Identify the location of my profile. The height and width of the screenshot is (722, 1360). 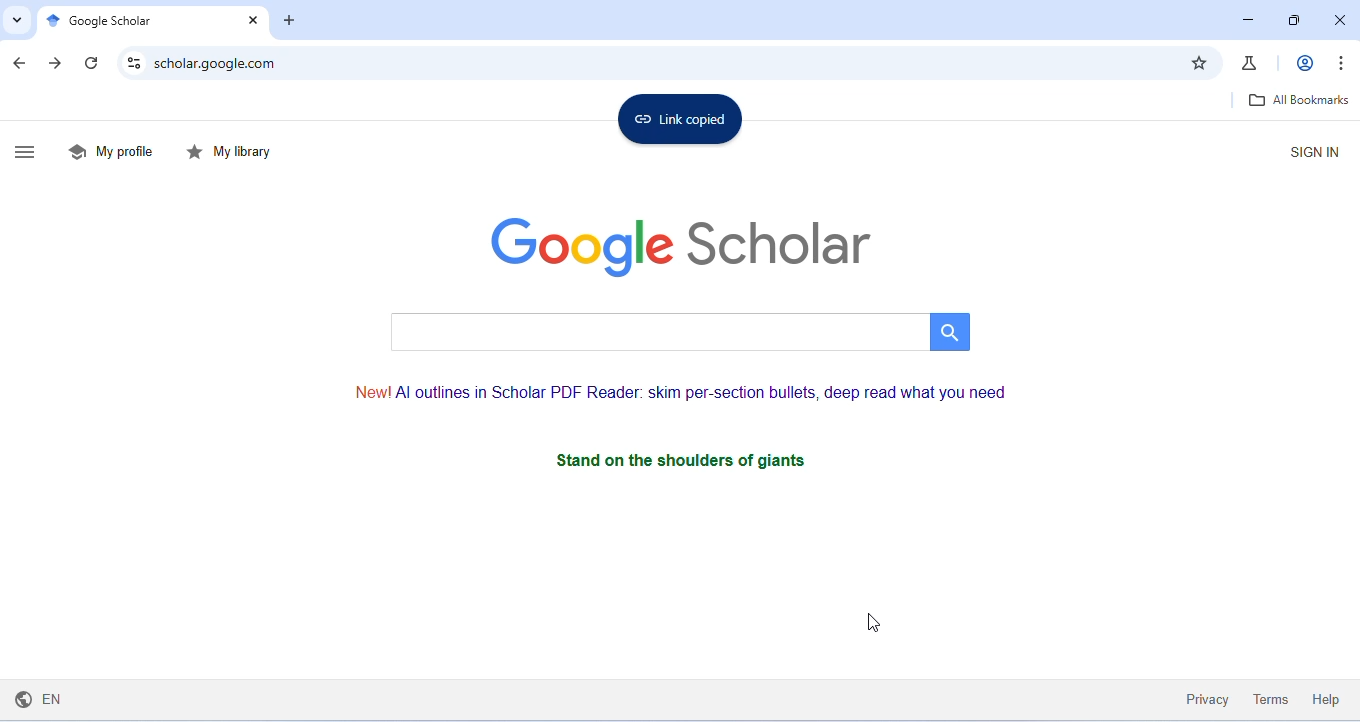
(111, 150).